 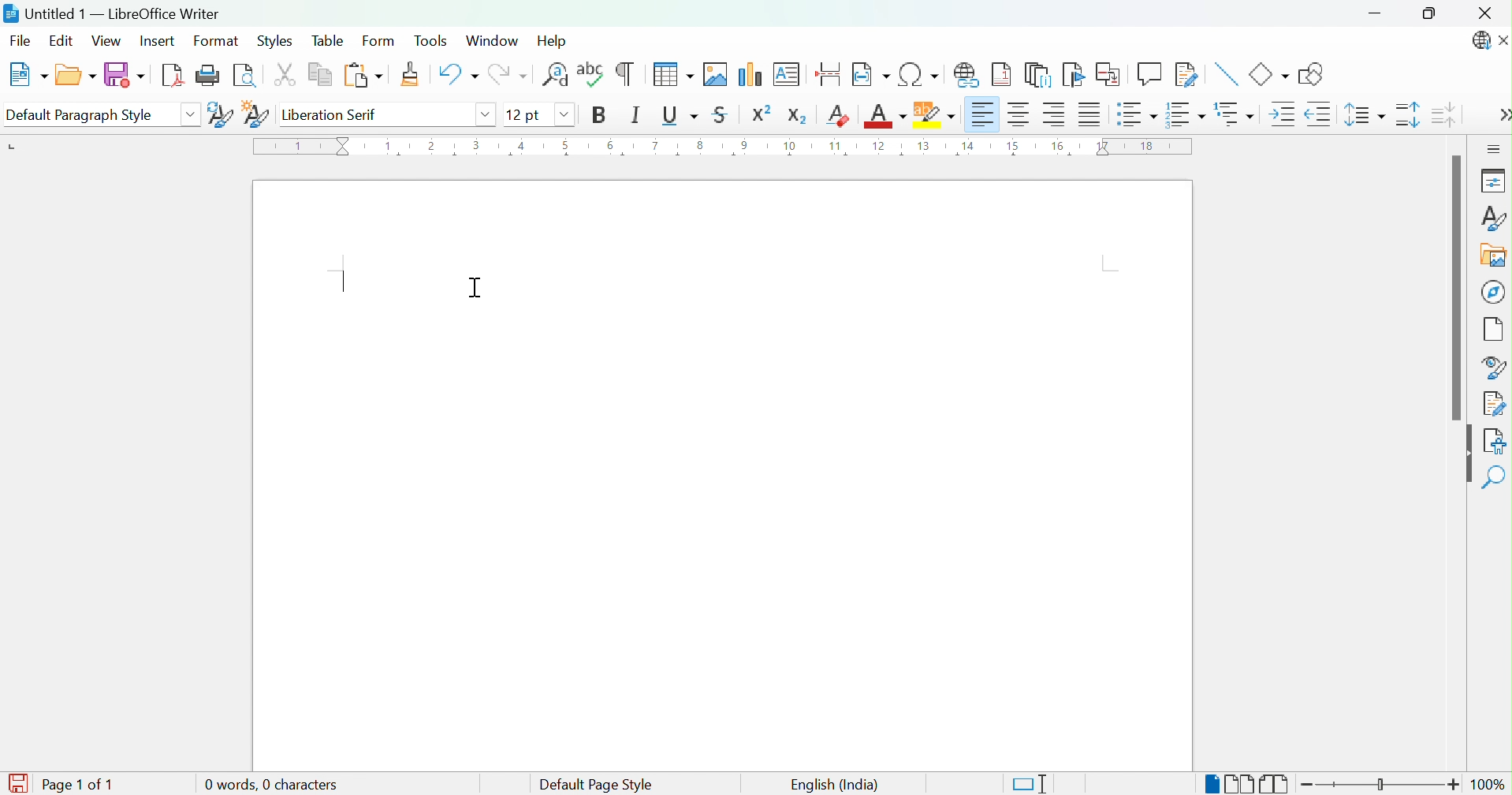 I want to click on Close, so click(x=1488, y=12).